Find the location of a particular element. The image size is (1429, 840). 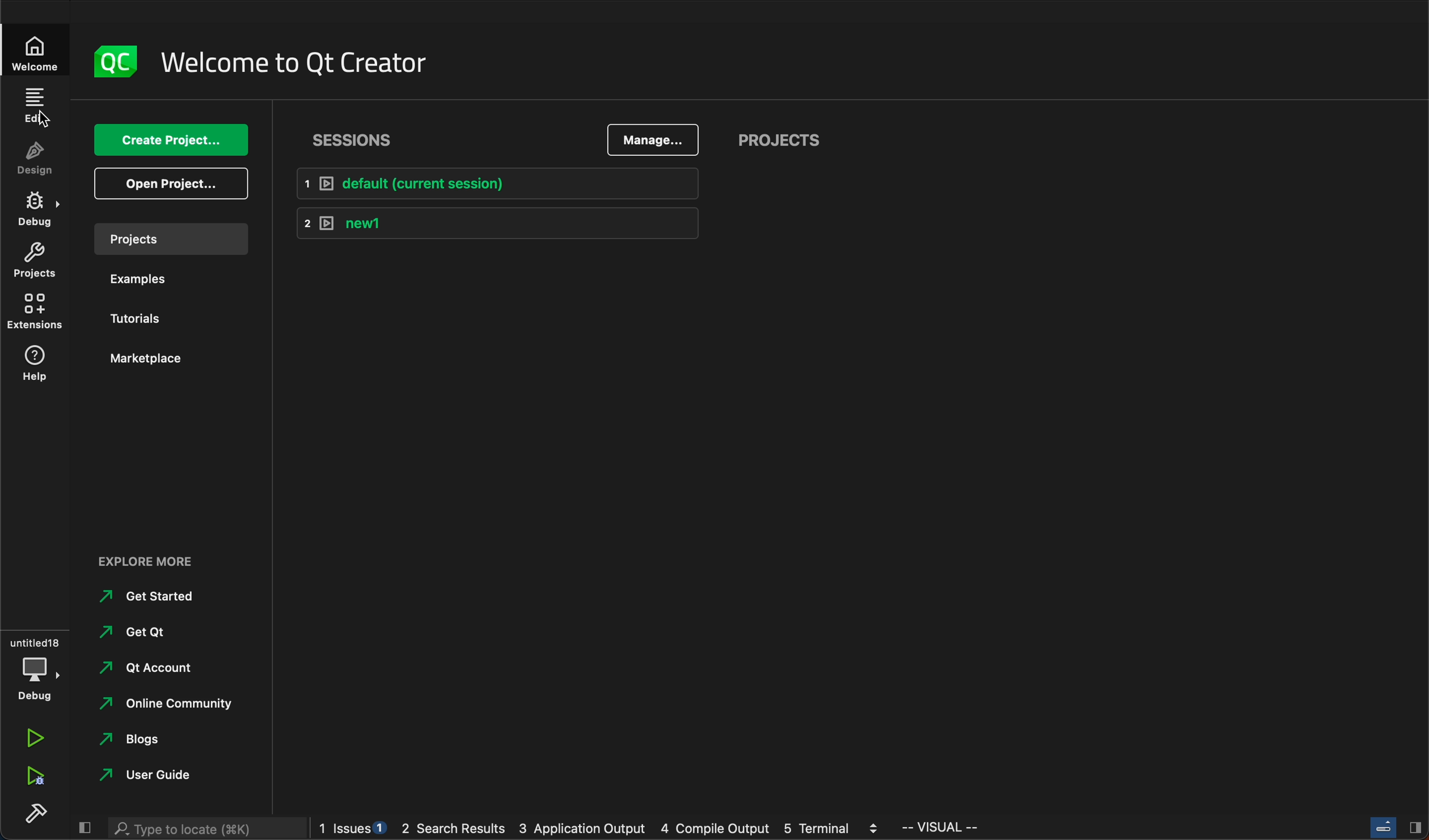

debug is located at coordinates (33, 206).